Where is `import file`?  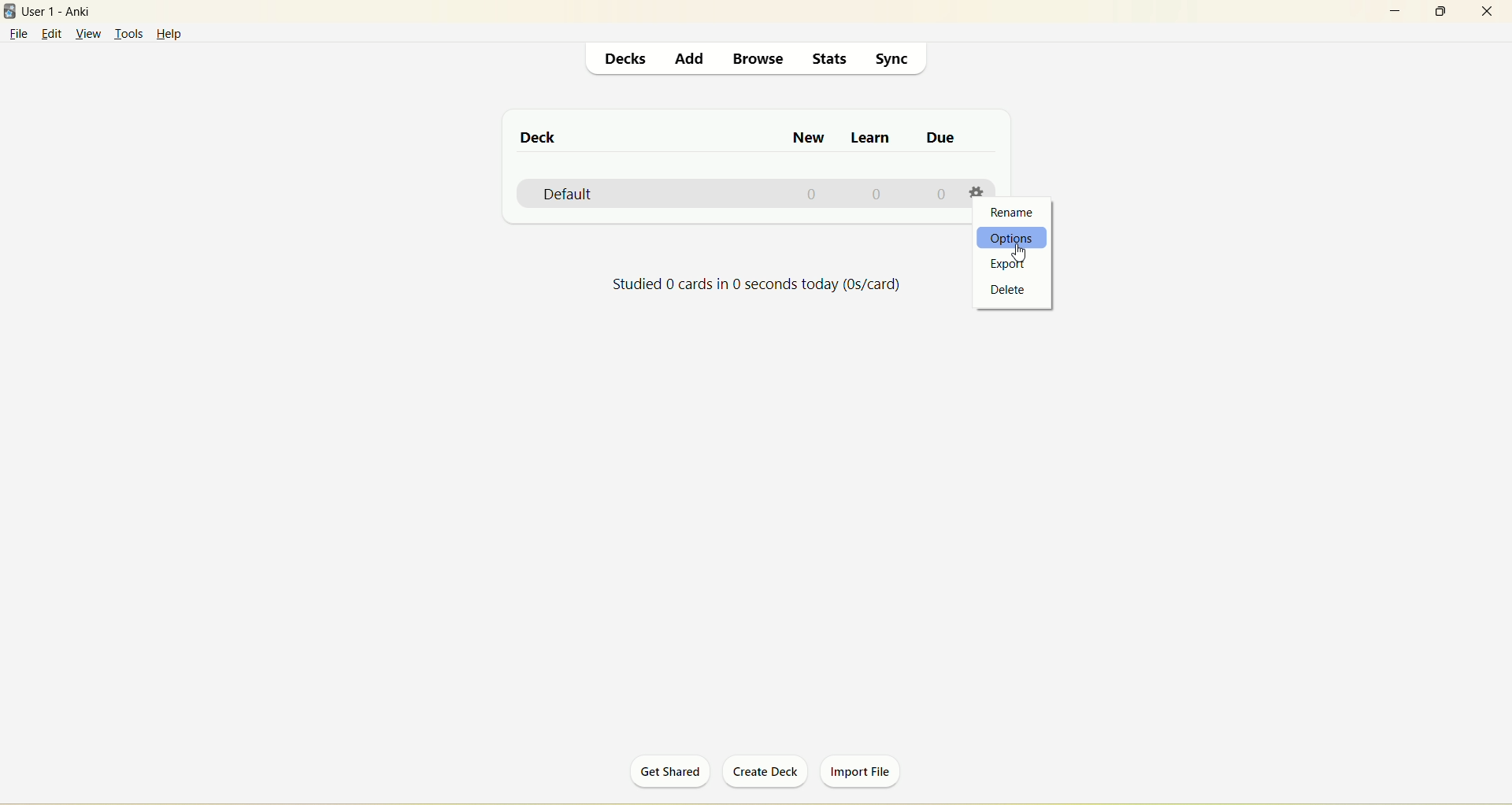
import file is located at coordinates (864, 773).